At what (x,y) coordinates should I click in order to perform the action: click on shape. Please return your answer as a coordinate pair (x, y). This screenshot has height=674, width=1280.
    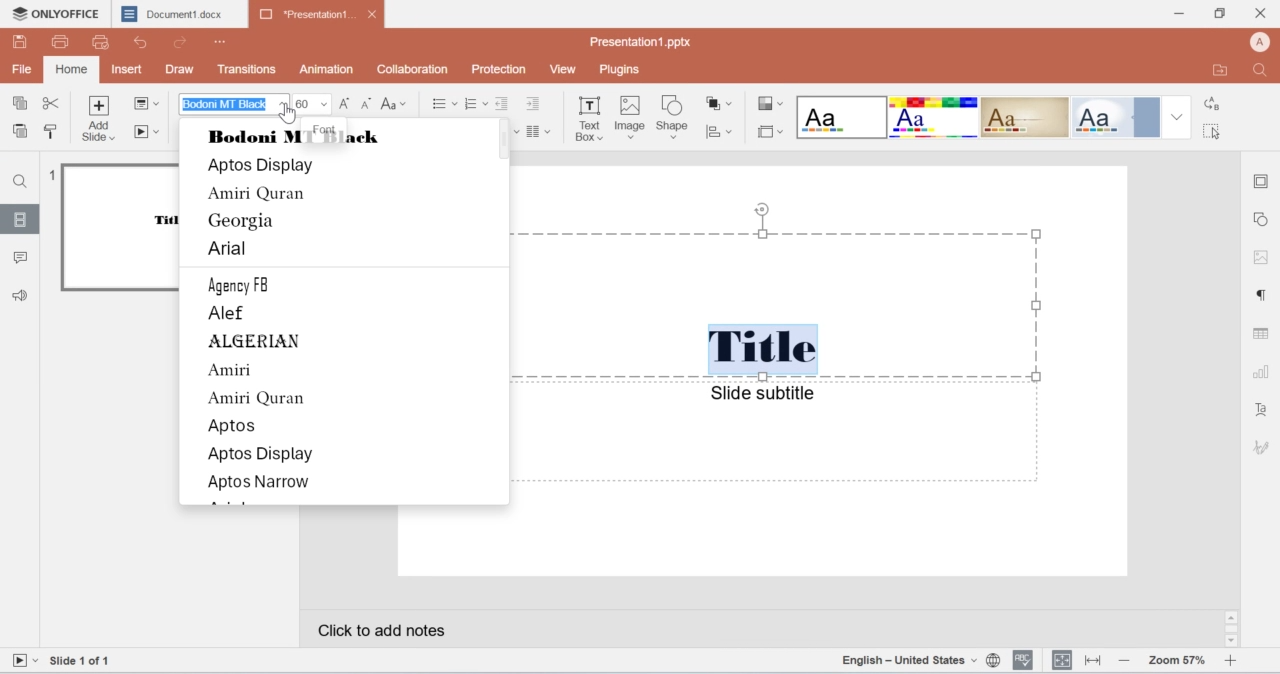
    Looking at the image, I should click on (675, 119).